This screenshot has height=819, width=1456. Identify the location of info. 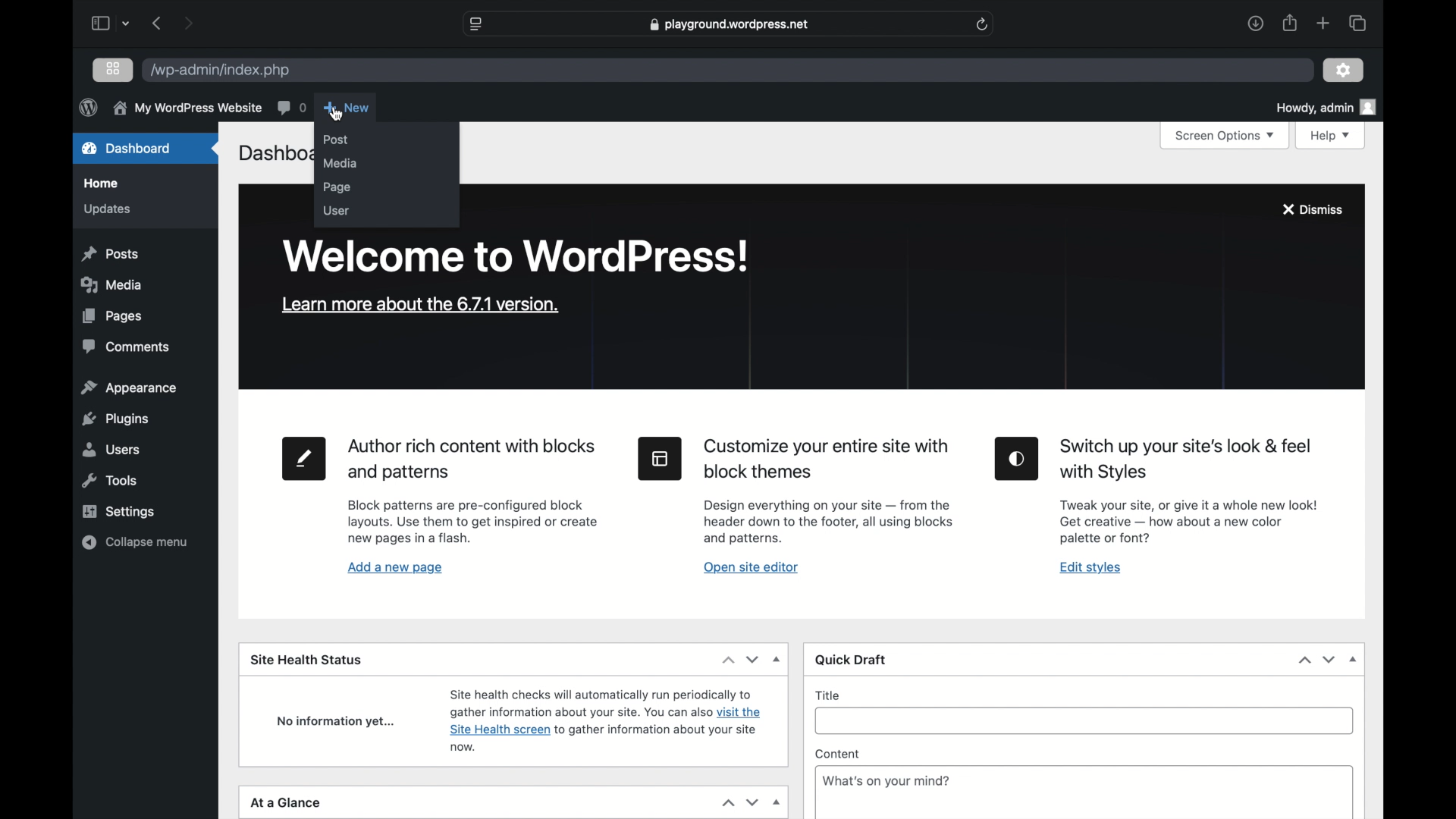
(606, 719).